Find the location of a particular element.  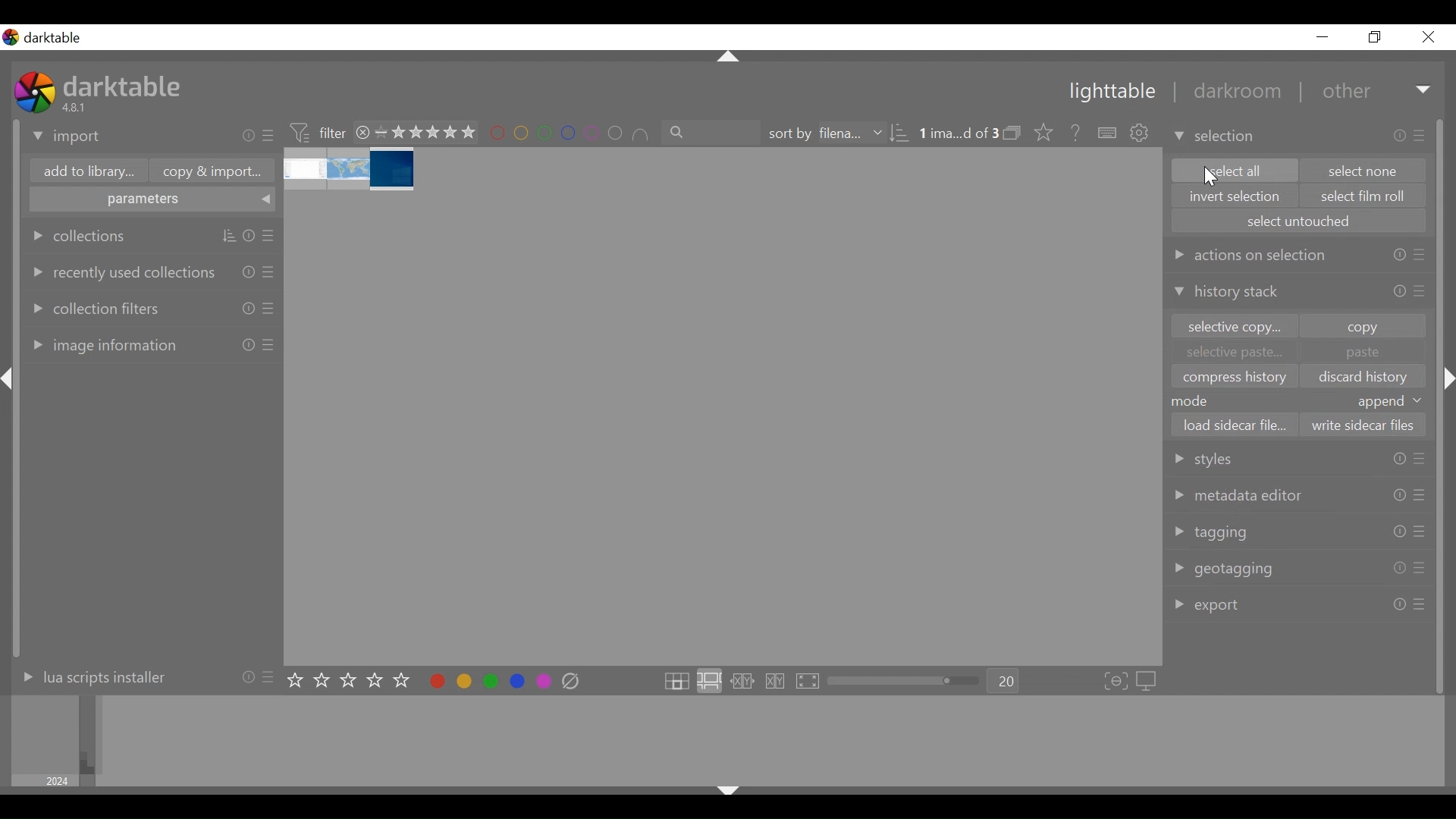

paste is located at coordinates (1362, 353).